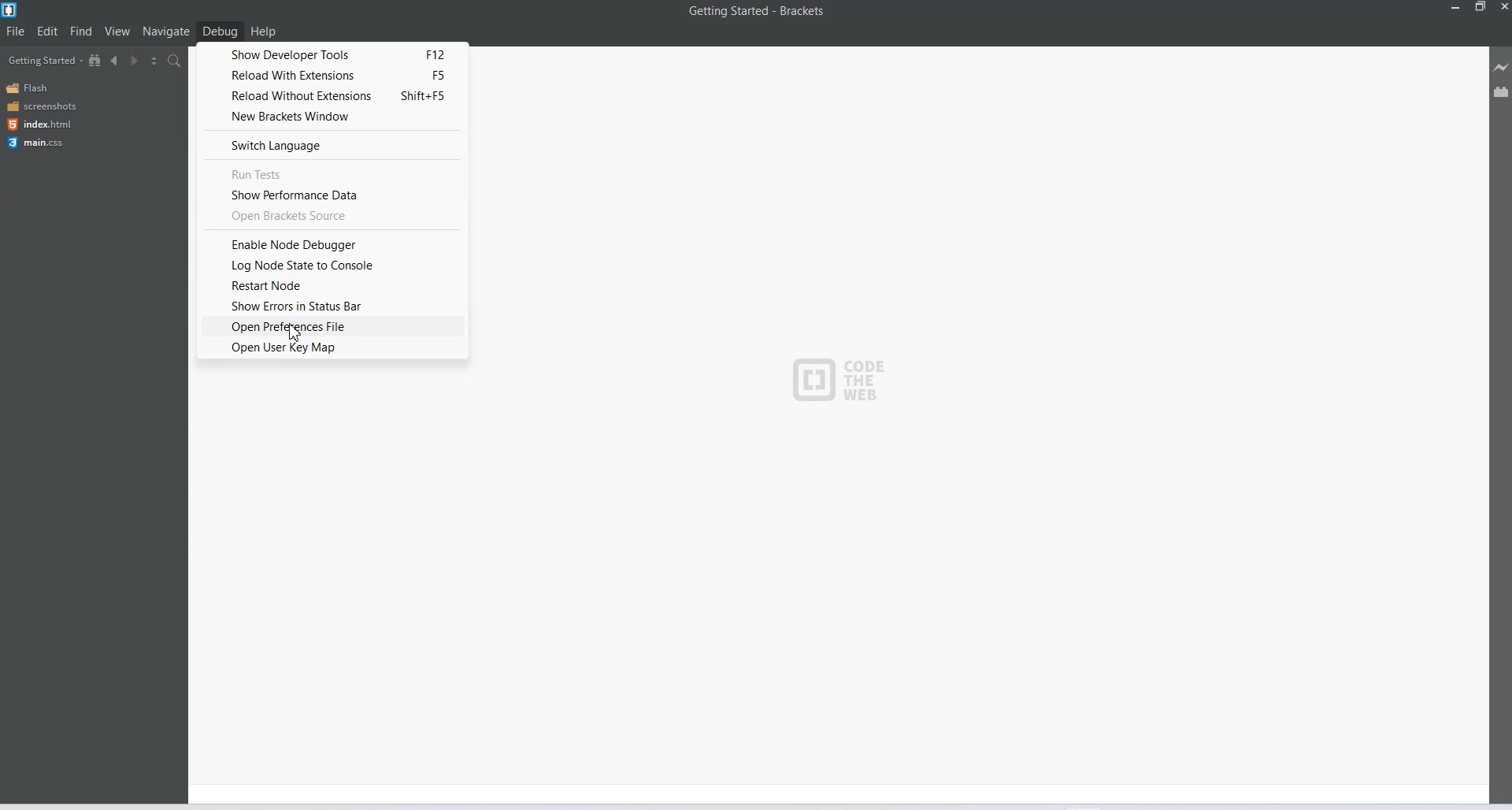 The image size is (1512, 810). Describe the element at coordinates (136, 61) in the screenshot. I see `Navigate Forward` at that location.